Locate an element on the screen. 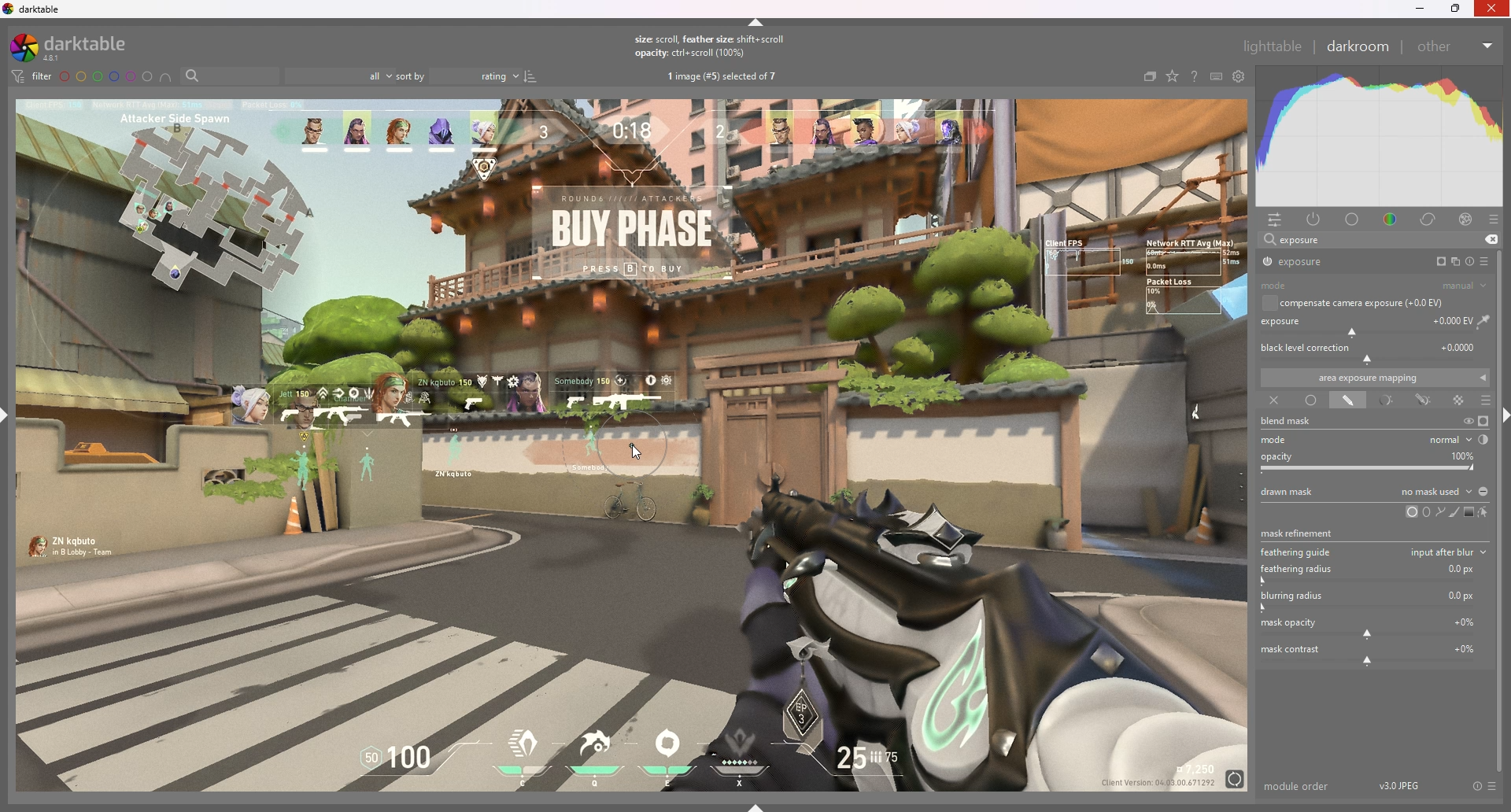  quick access panel is located at coordinates (1278, 220).